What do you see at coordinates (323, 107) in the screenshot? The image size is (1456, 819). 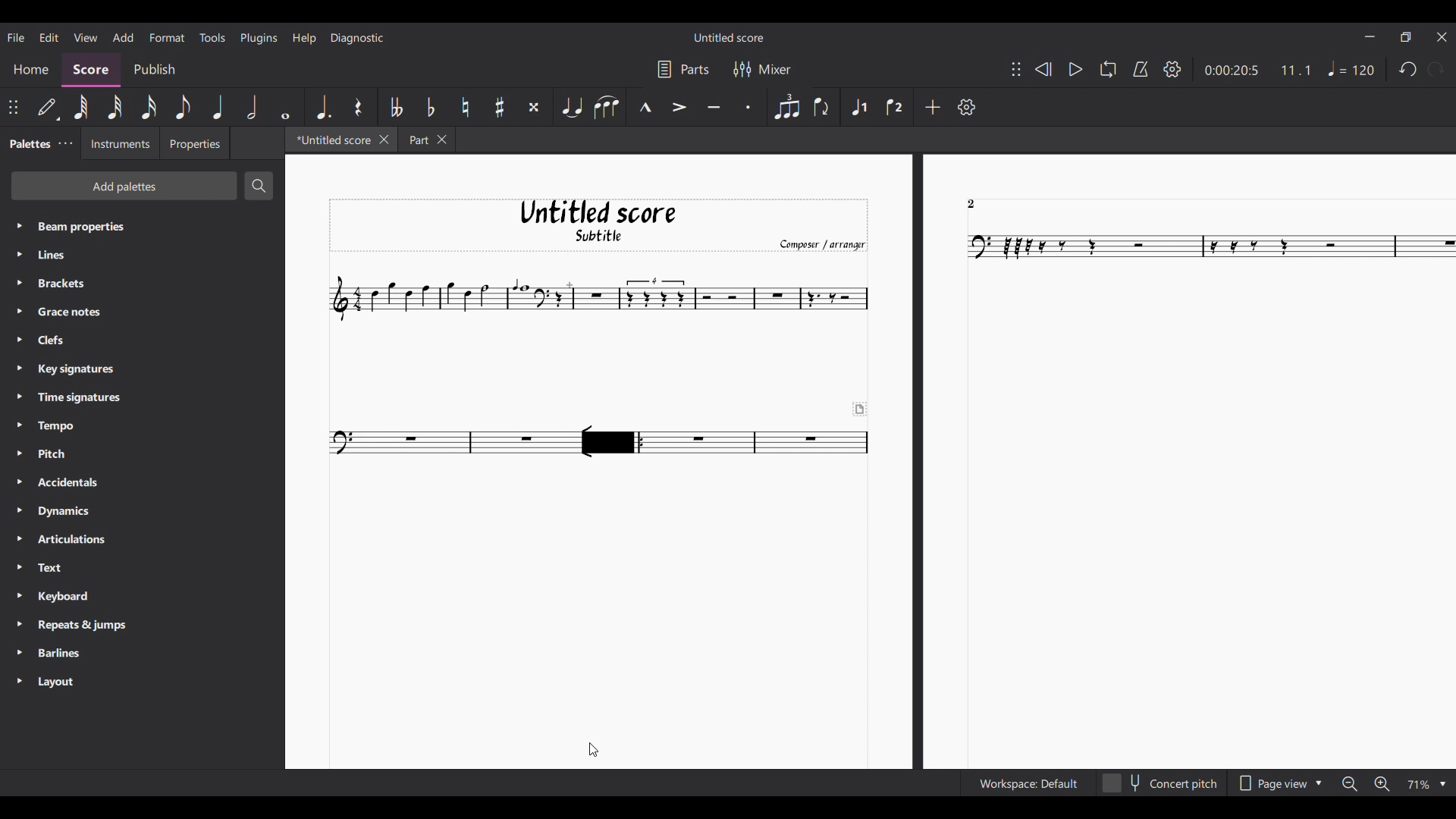 I see `Augmentation dot` at bounding box center [323, 107].